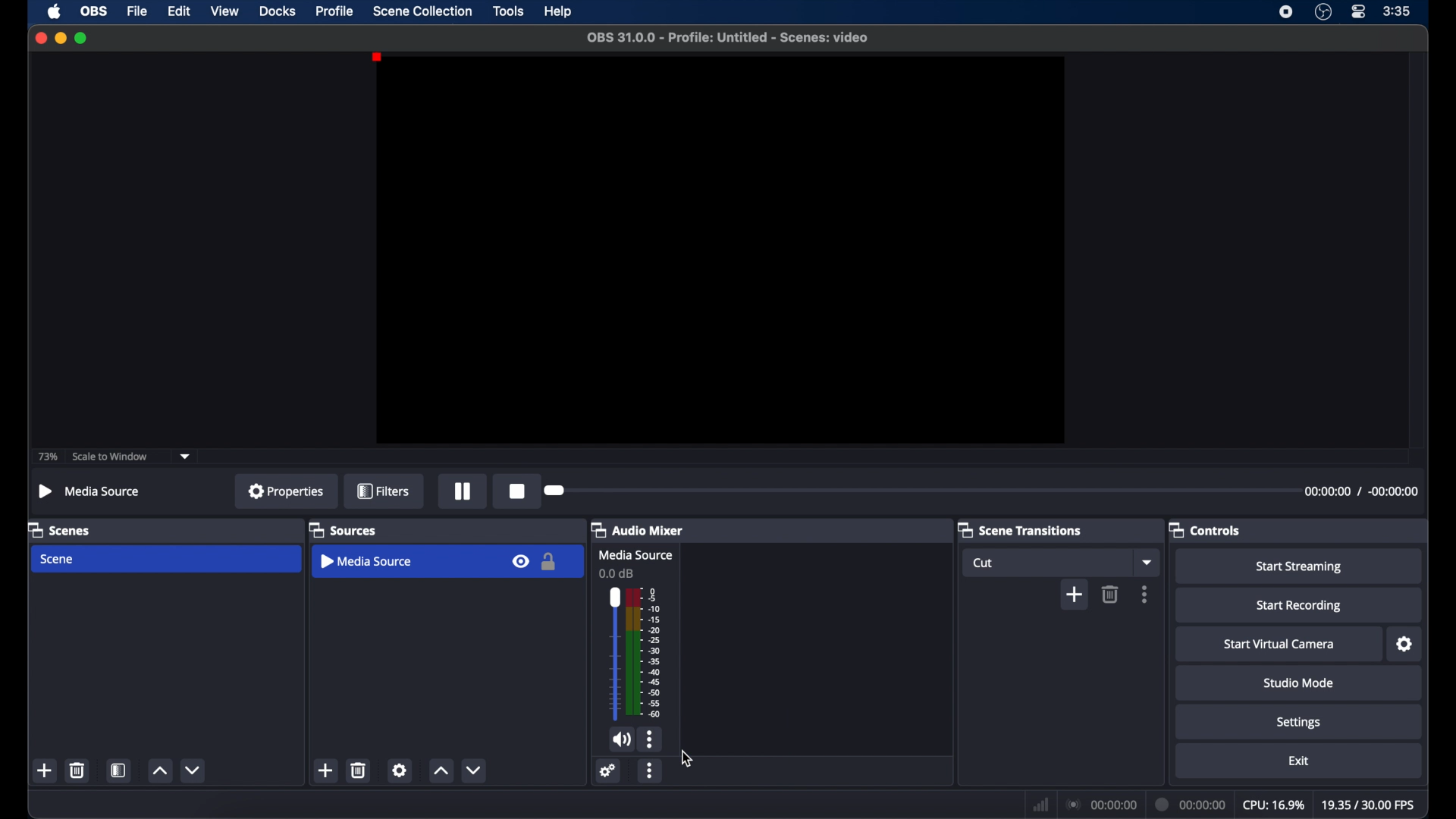 The height and width of the screenshot is (819, 1456). What do you see at coordinates (1300, 607) in the screenshot?
I see `start recording` at bounding box center [1300, 607].